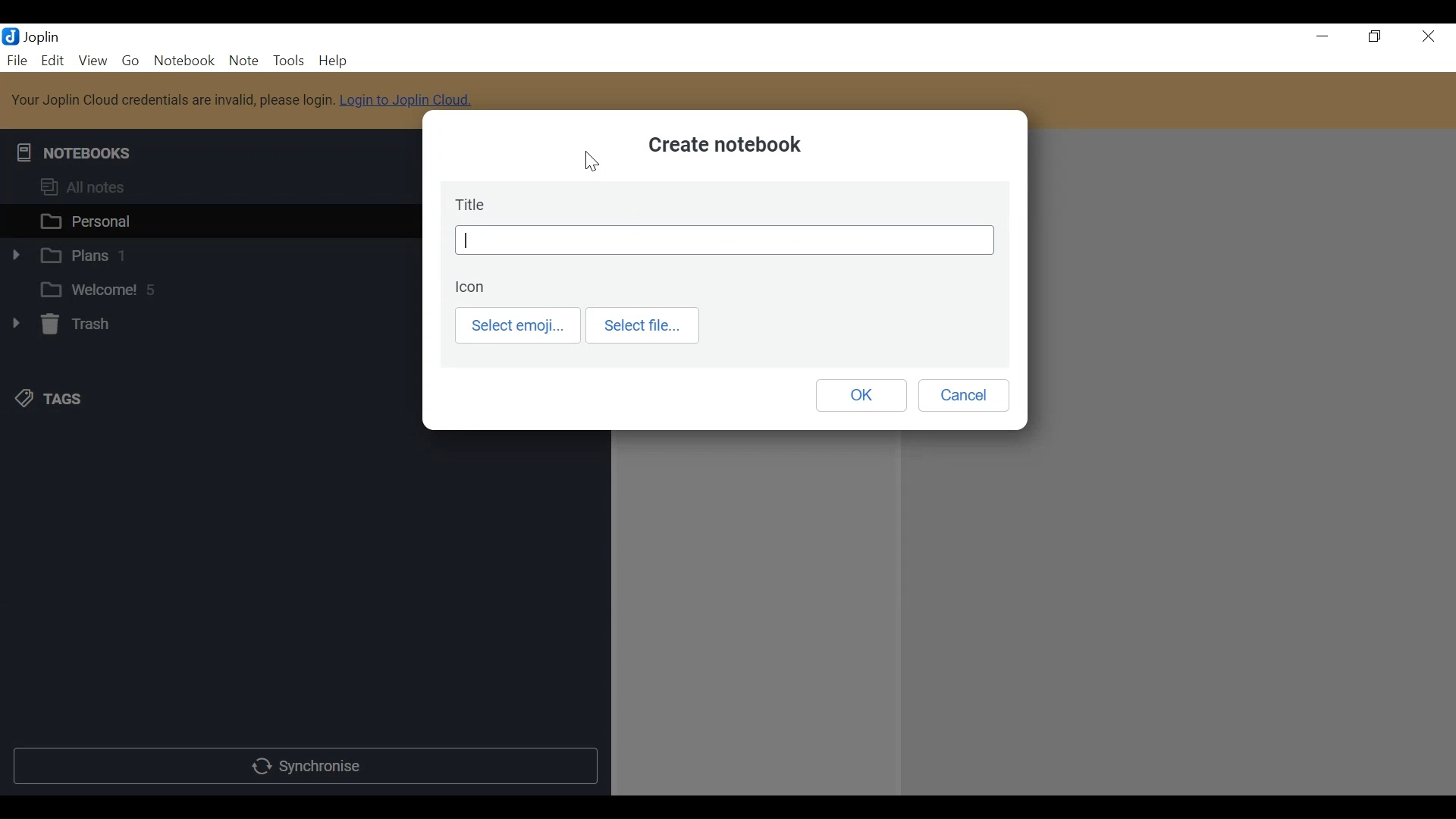  What do you see at coordinates (520, 325) in the screenshot?
I see `Select emoji` at bounding box center [520, 325].